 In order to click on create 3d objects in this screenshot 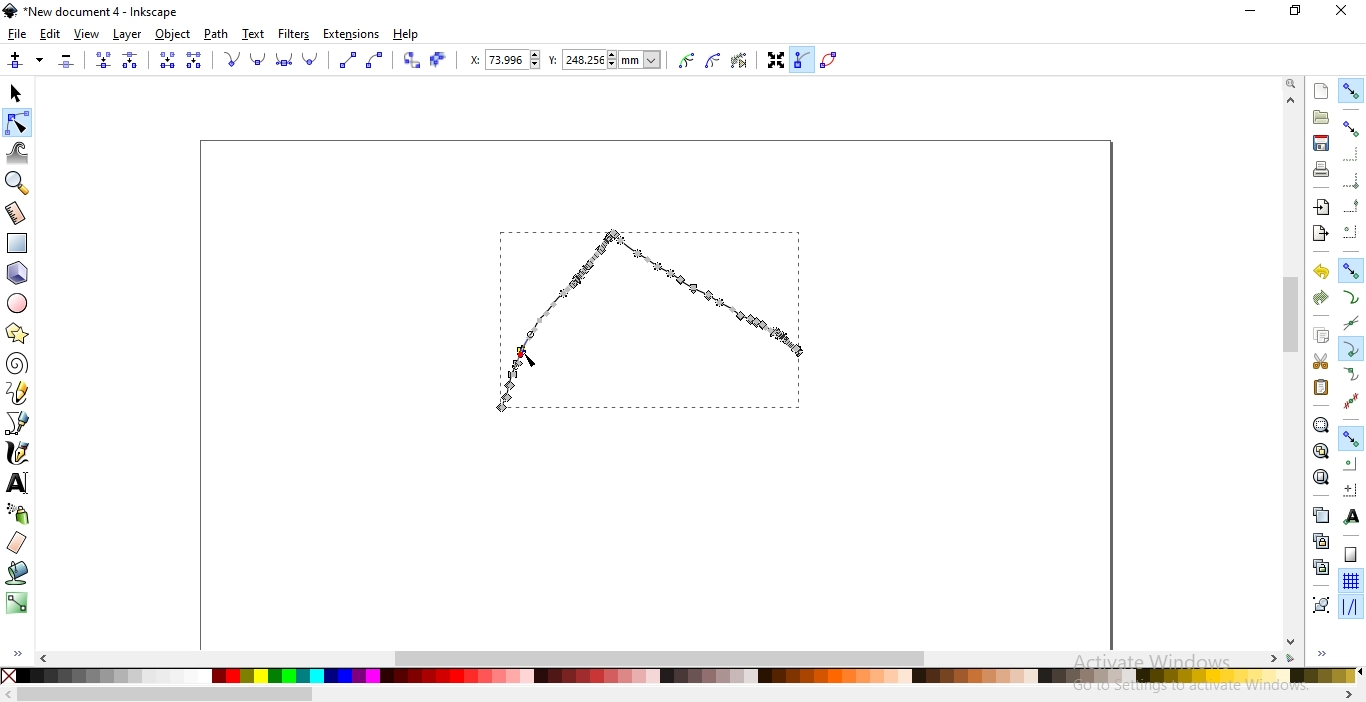, I will do `click(18, 274)`.